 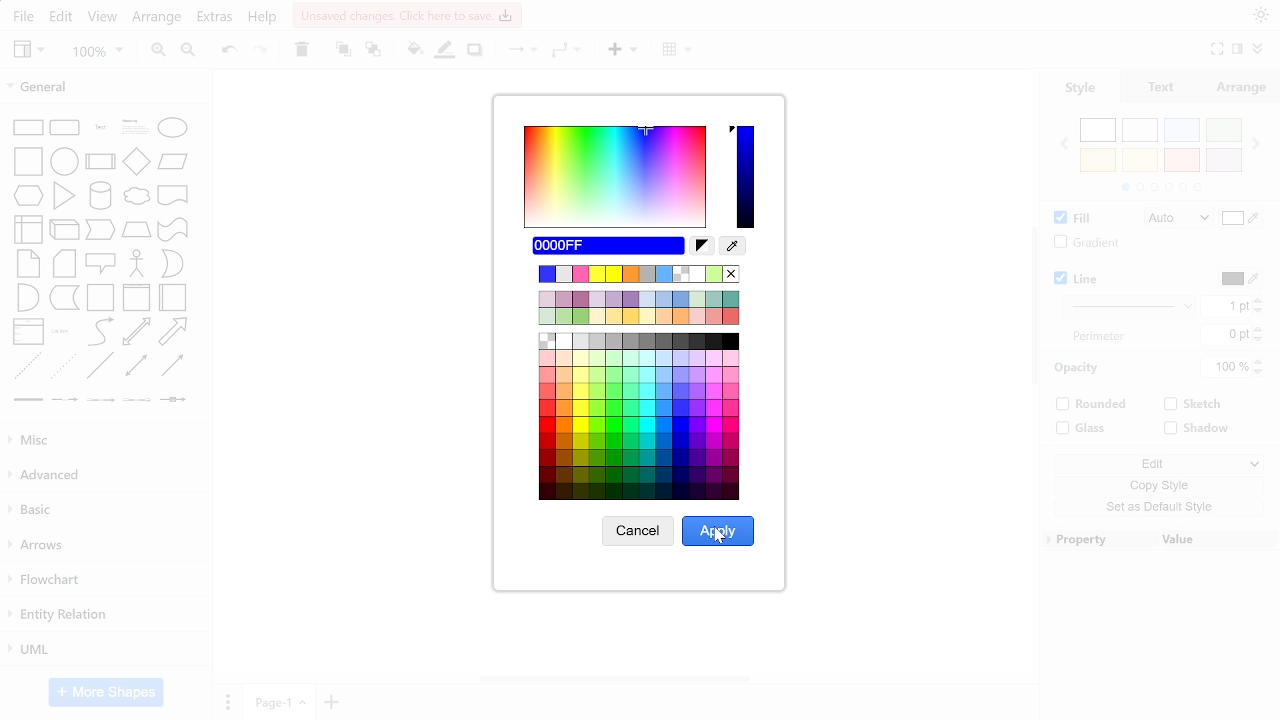 What do you see at coordinates (446, 52) in the screenshot?
I see `fill line` at bounding box center [446, 52].